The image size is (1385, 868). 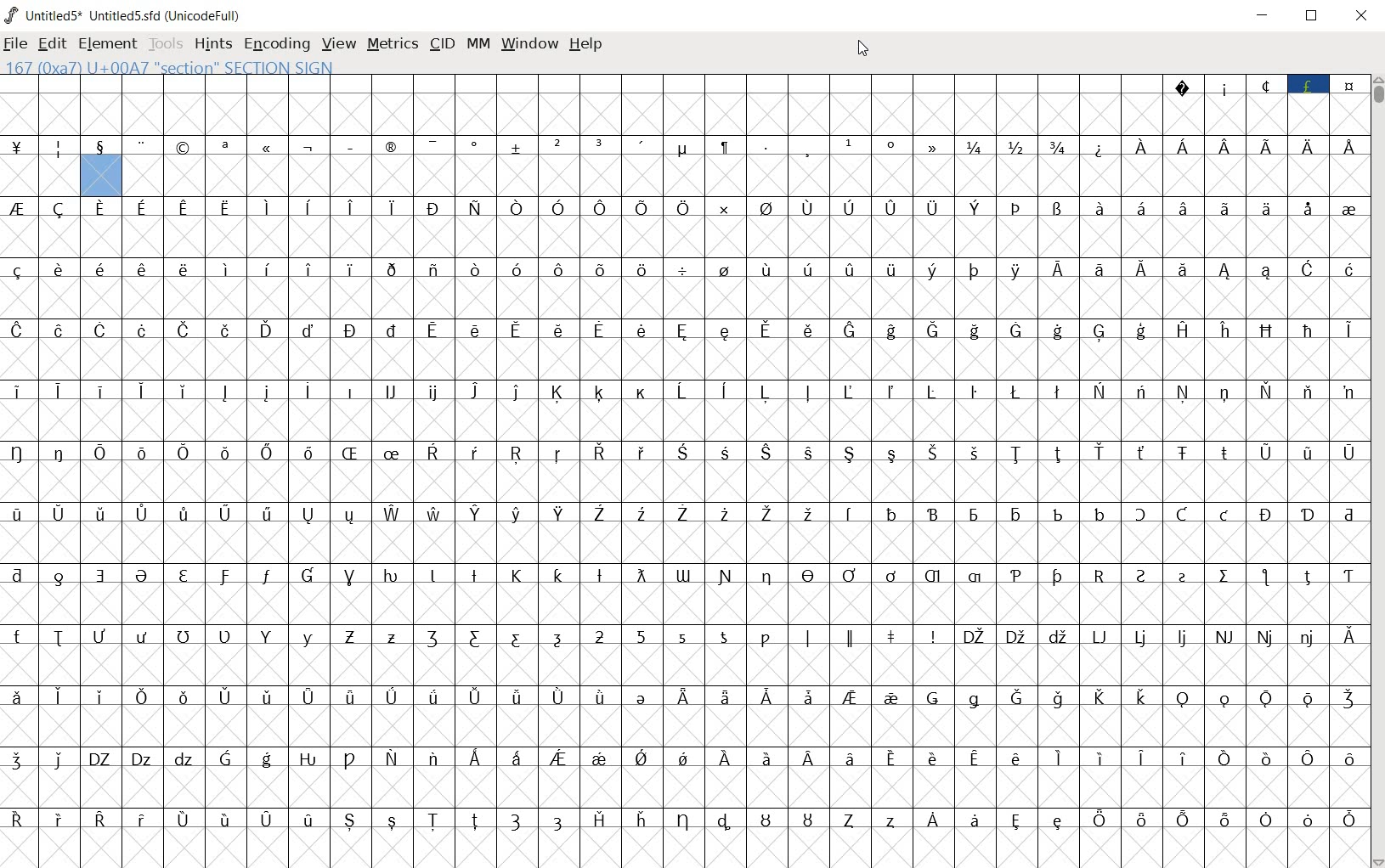 I want to click on special letters, so click(x=687, y=757).